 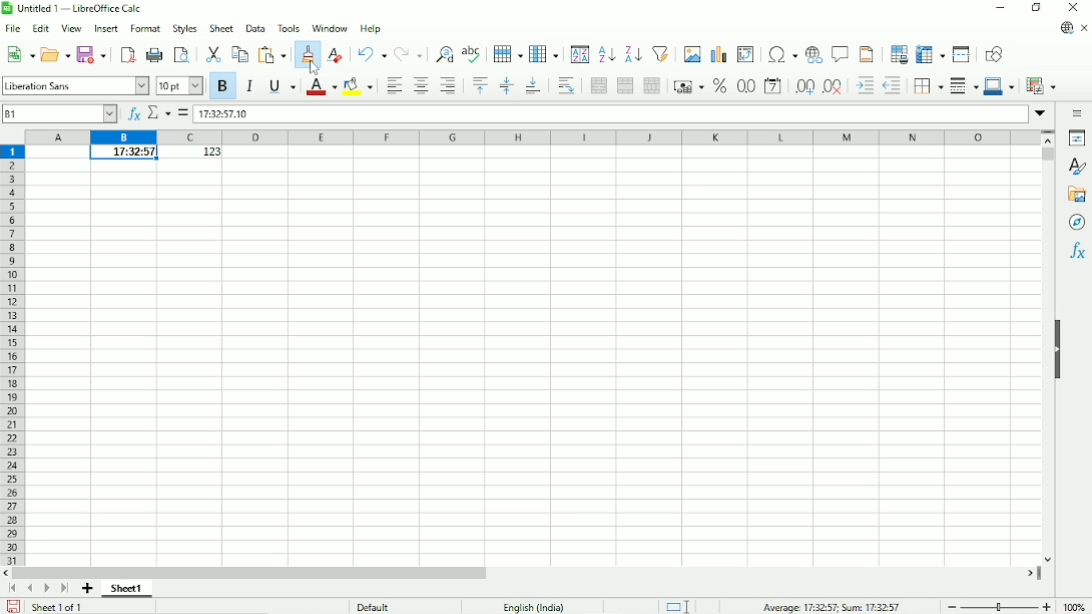 I want to click on Add sheet, so click(x=87, y=589).